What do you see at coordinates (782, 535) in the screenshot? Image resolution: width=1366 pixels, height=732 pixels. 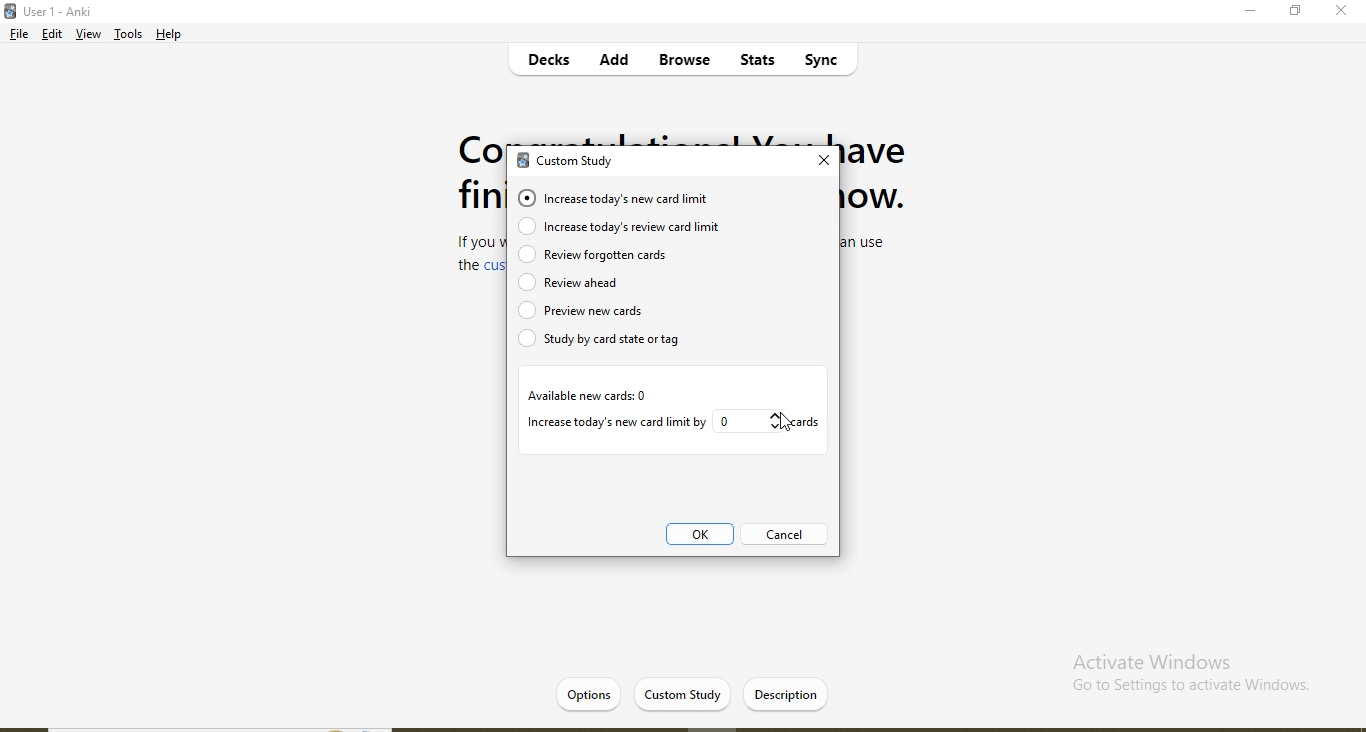 I see `cancel` at bounding box center [782, 535].